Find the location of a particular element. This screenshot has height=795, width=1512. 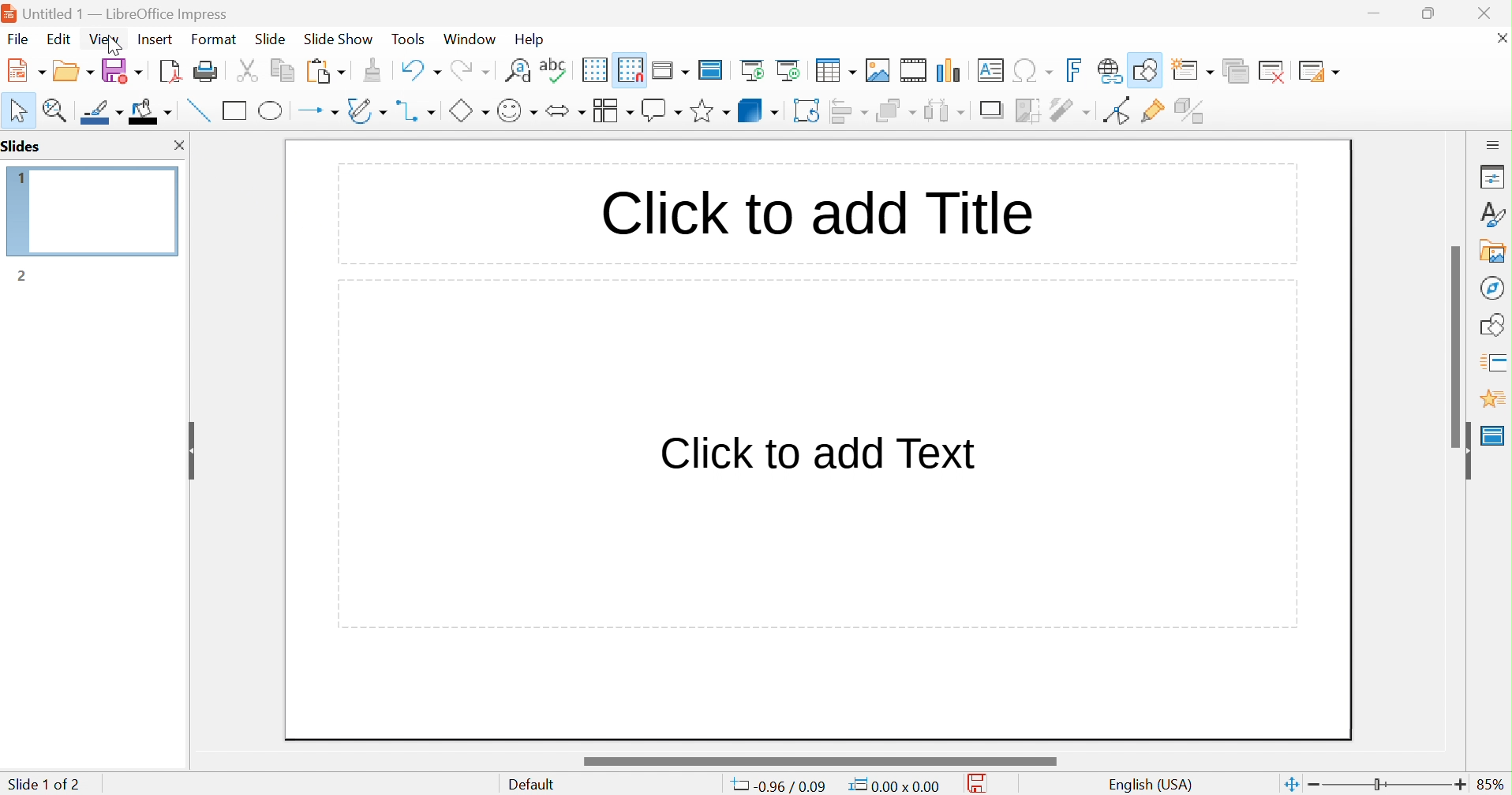

clone formatting is located at coordinates (372, 70).